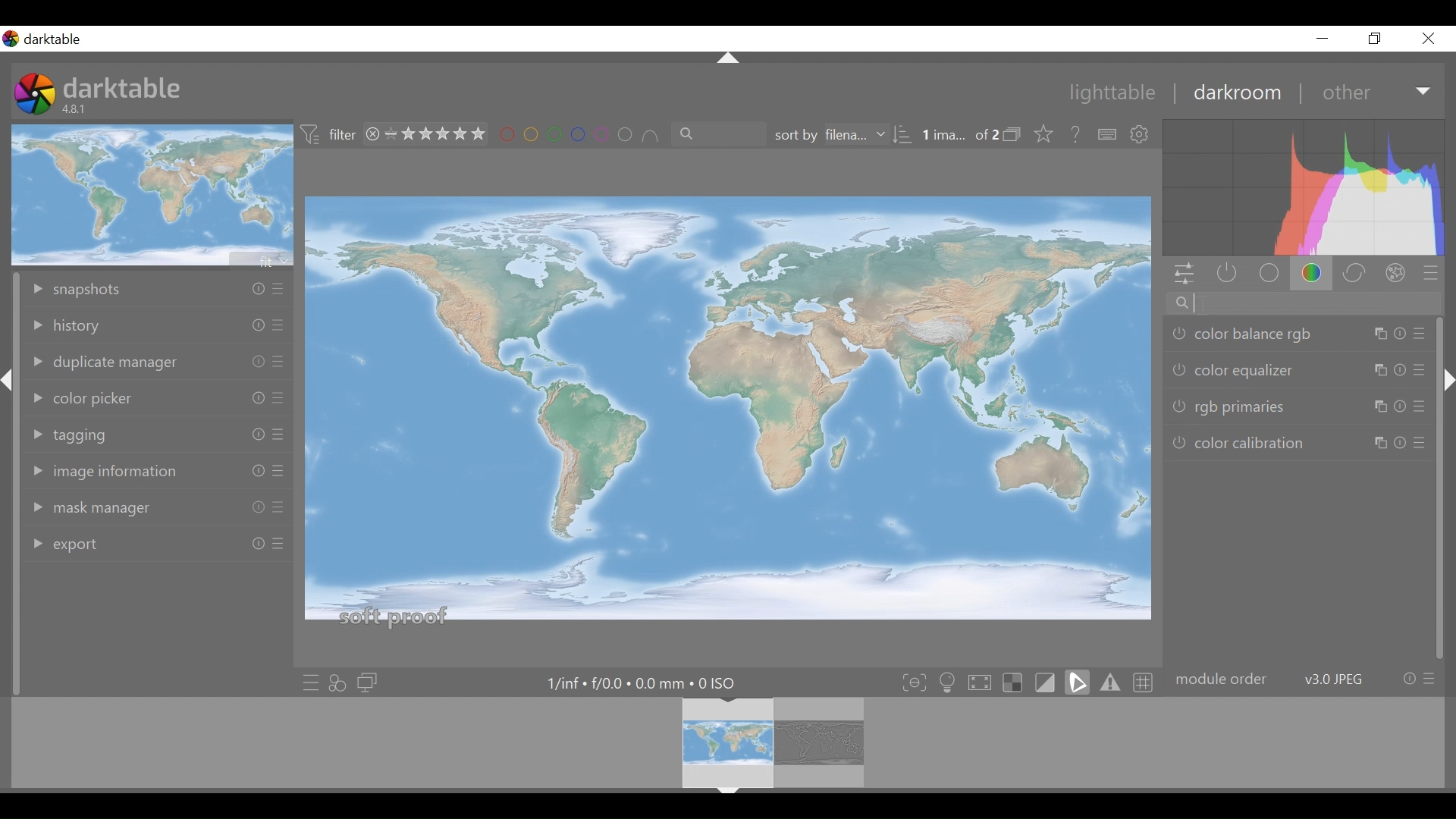 The height and width of the screenshot is (819, 1456). Describe the element at coordinates (717, 133) in the screenshot. I see `filter by text from images` at that location.